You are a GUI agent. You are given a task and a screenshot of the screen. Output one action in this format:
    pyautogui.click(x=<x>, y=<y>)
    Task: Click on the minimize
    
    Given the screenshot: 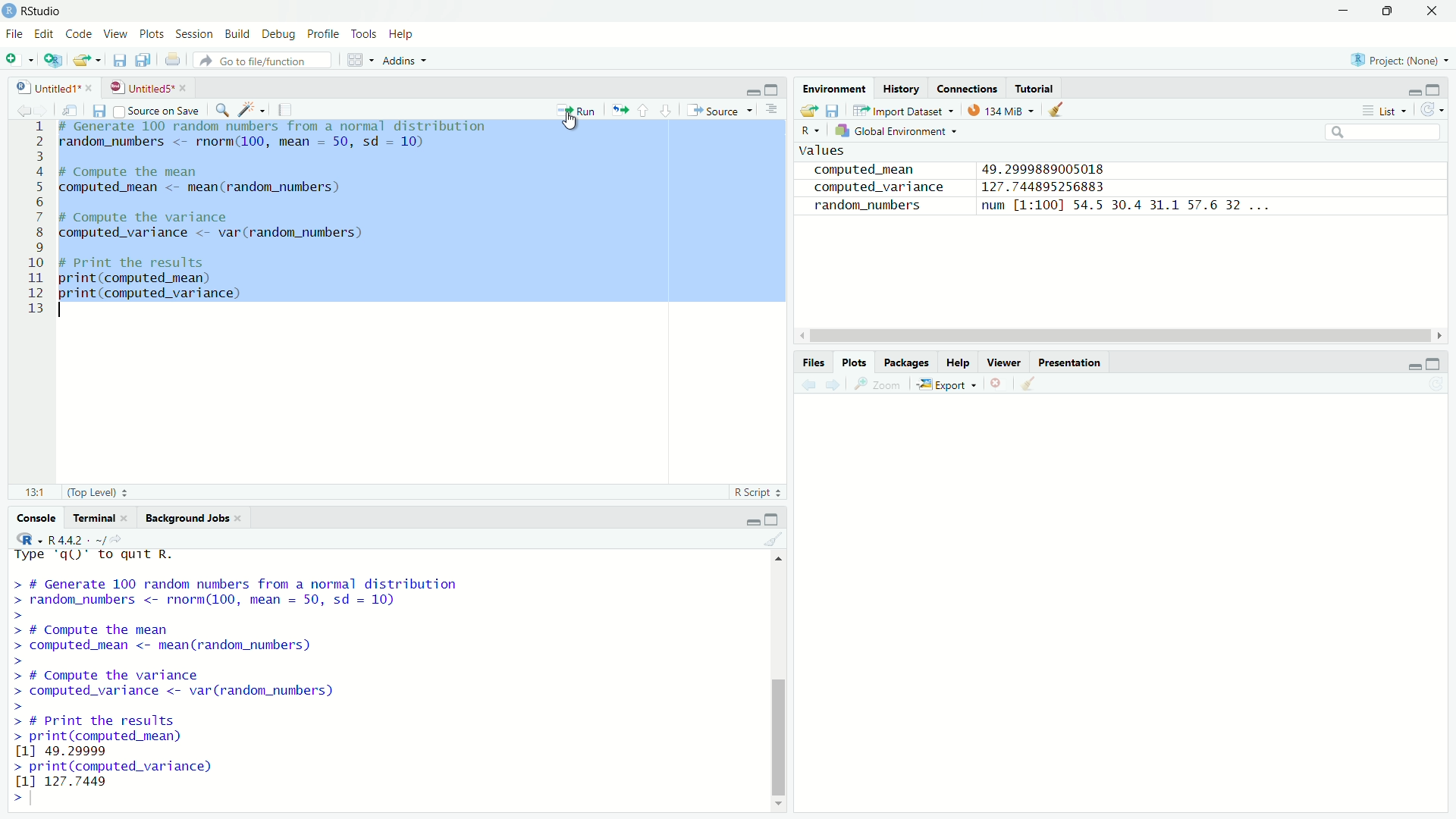 What is the action you would take?
    pyautogui.click(x=748, y=88)
    